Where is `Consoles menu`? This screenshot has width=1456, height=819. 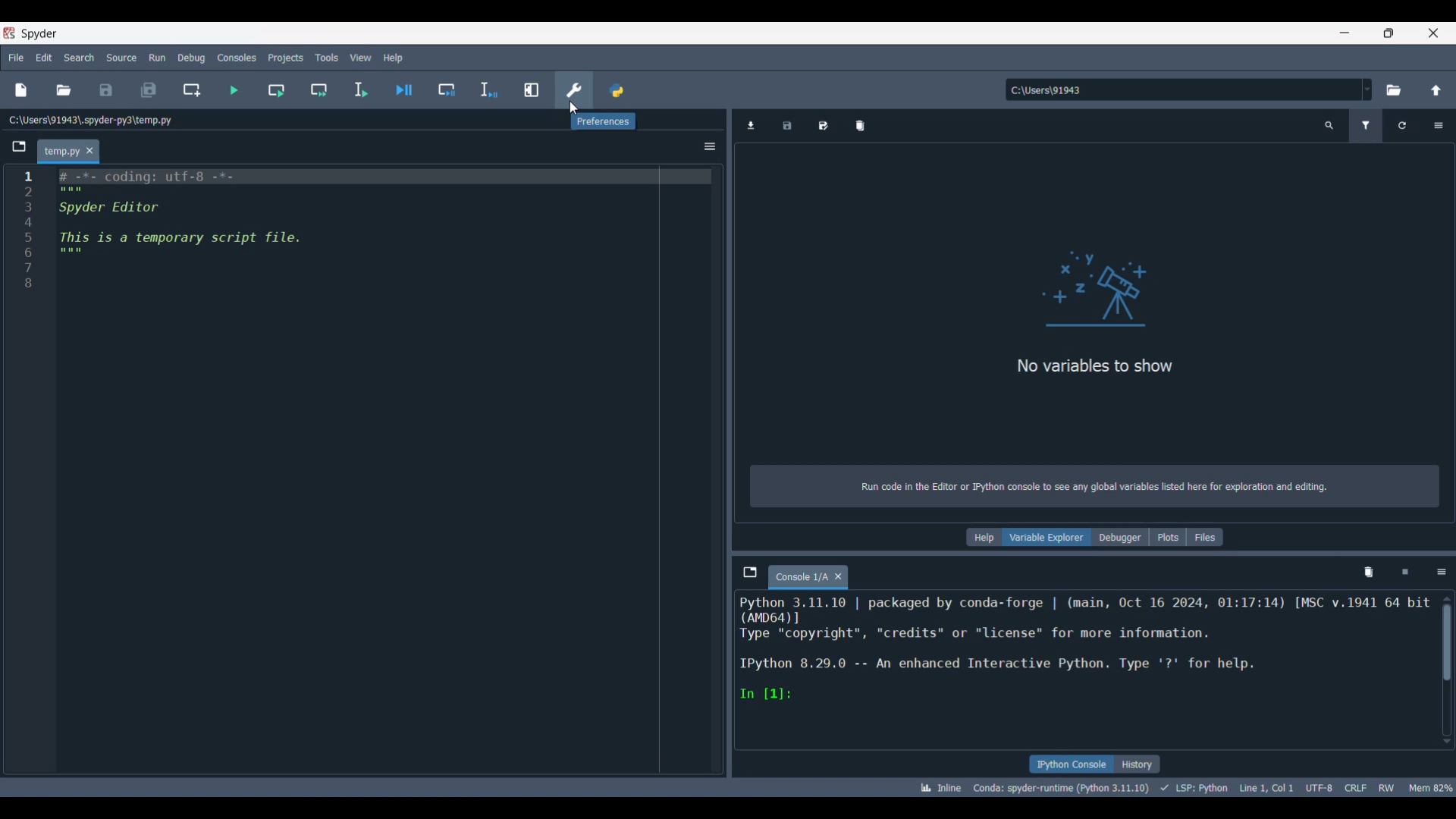
Consoles menu is located at coordinates (237, 58).